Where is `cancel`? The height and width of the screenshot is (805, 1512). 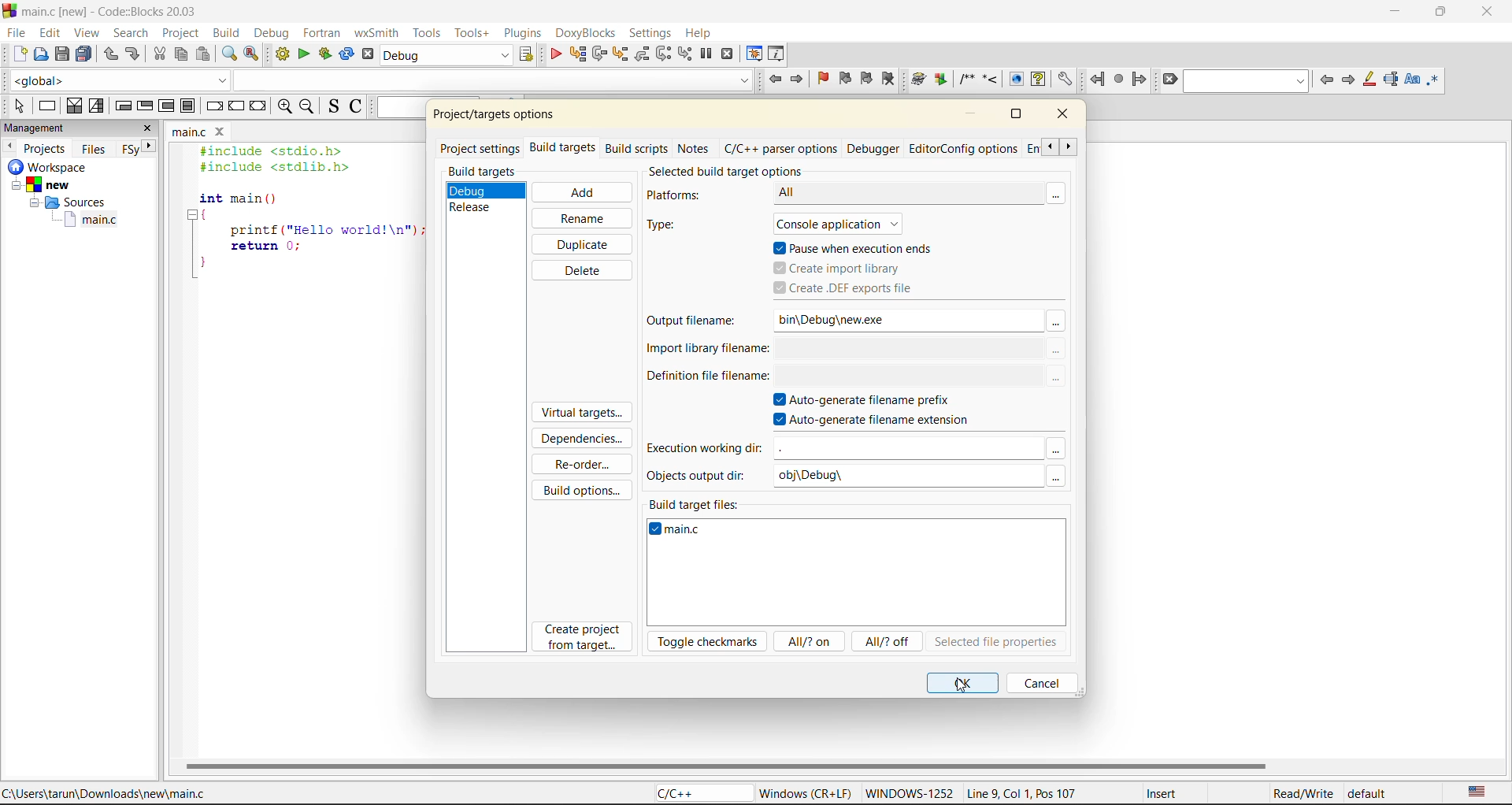 cancel is located at coordinates (1039, 682).